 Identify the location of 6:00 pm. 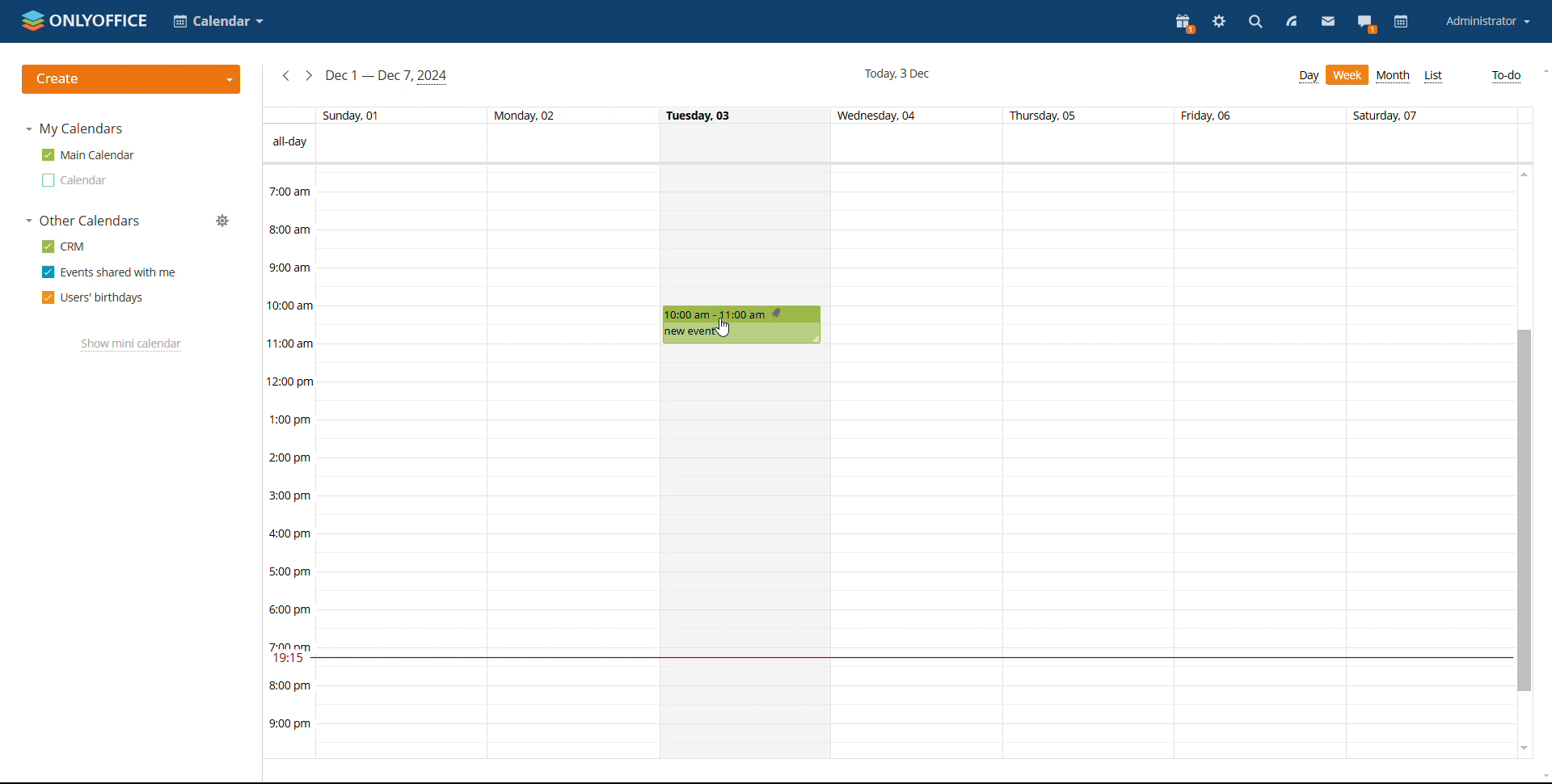
(293, 609).